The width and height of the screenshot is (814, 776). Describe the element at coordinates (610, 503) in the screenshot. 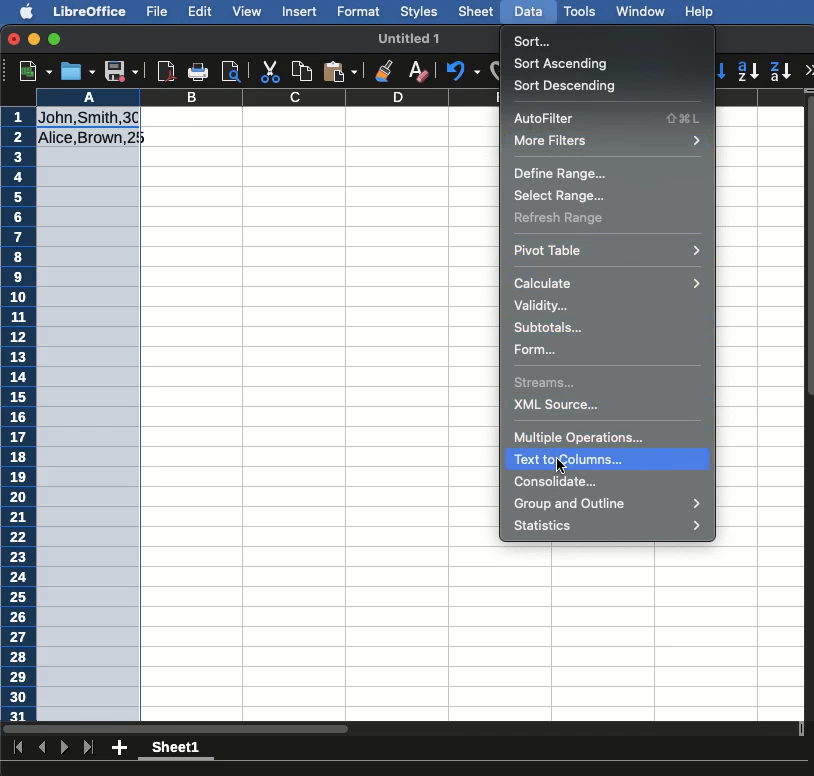

I see `Group and outline` at that location.